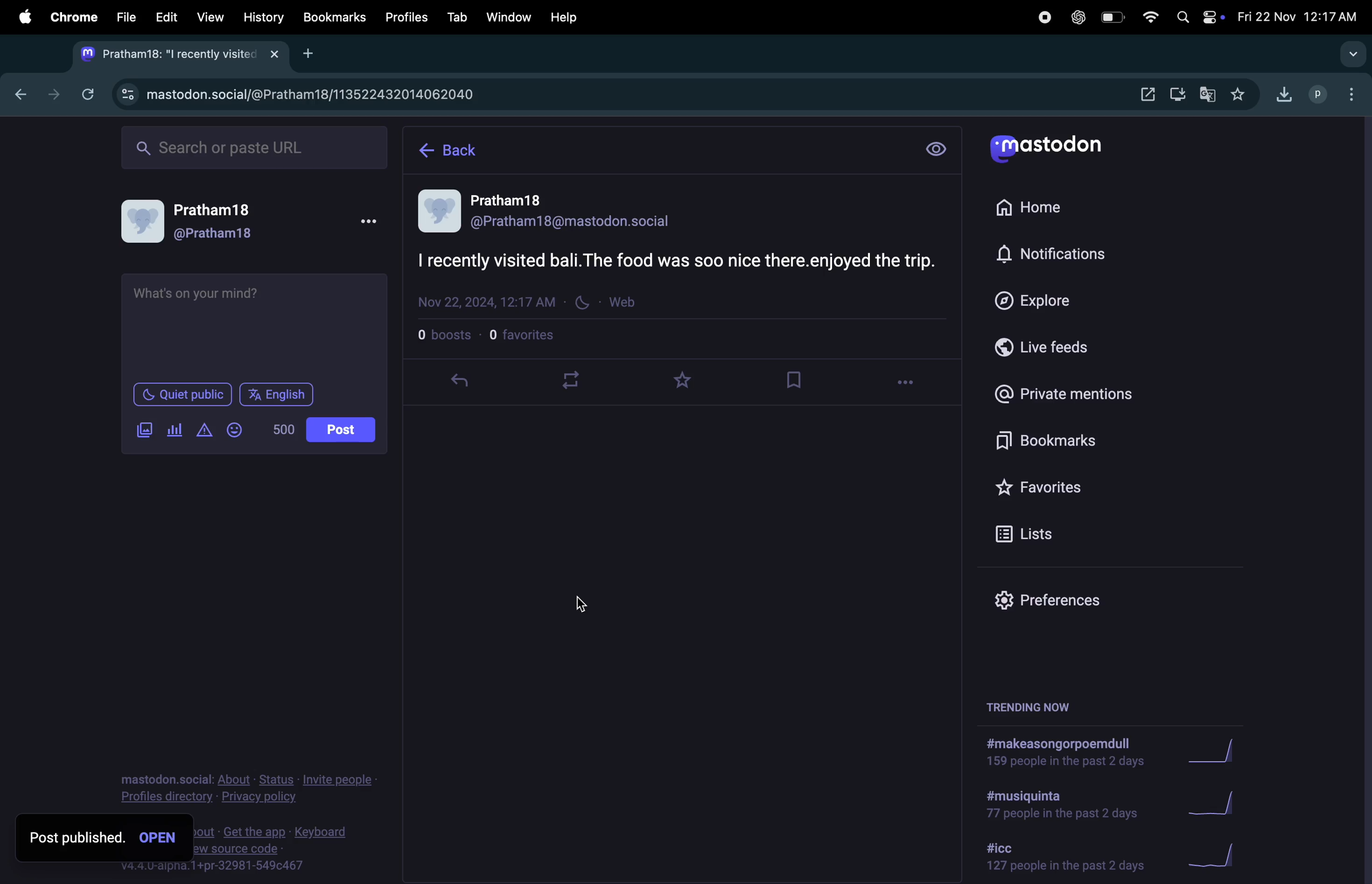  What do you see at coordinates (1063, 805) in the screenshot?
I see `hash tag` at bounding box center [1063, 805].